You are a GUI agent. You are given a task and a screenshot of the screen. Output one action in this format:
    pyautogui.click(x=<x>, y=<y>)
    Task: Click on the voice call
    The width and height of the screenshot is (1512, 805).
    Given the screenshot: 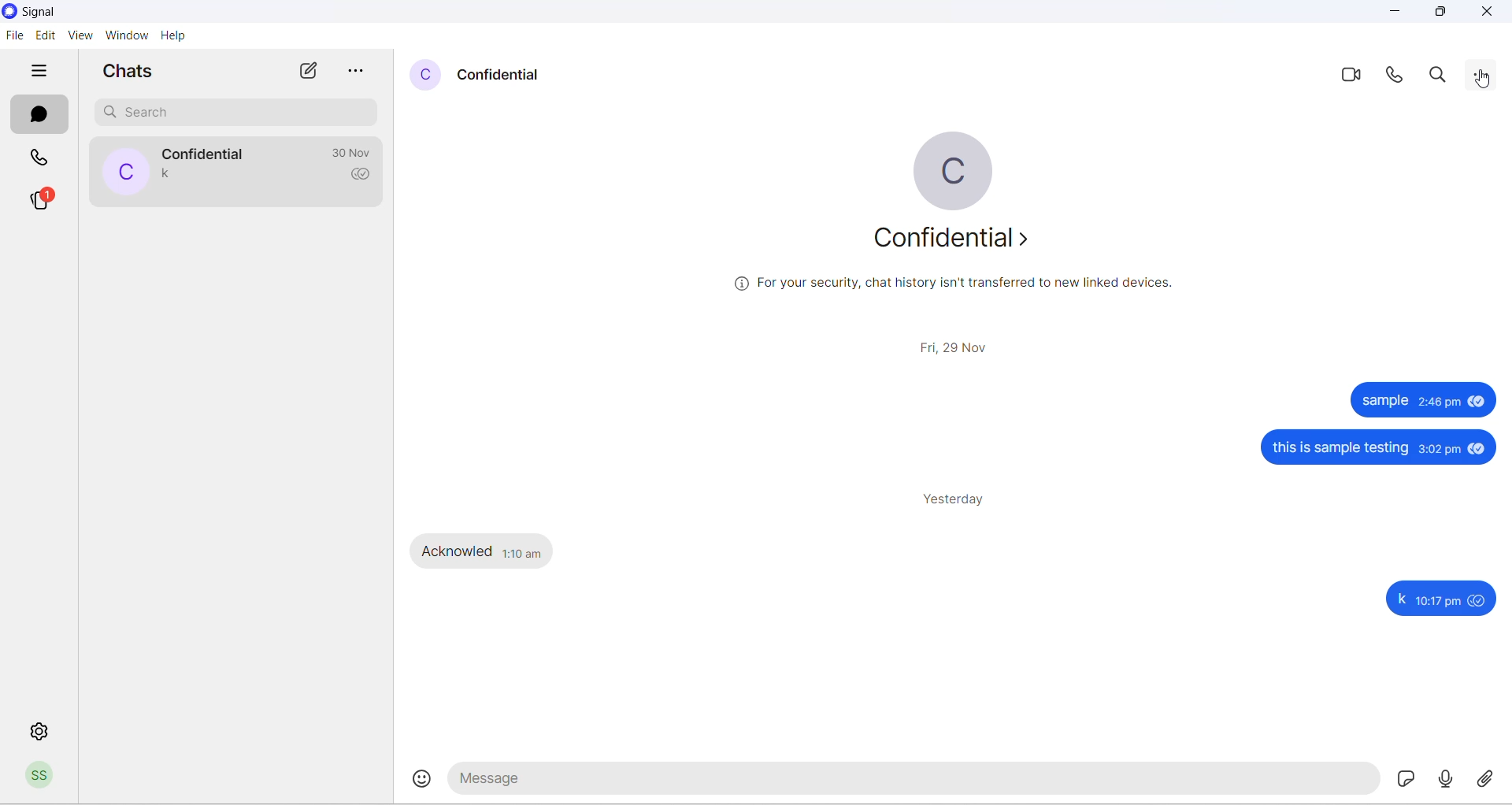 What is the action you would take?
    pyautogui.click(x=1395, y=76)
    